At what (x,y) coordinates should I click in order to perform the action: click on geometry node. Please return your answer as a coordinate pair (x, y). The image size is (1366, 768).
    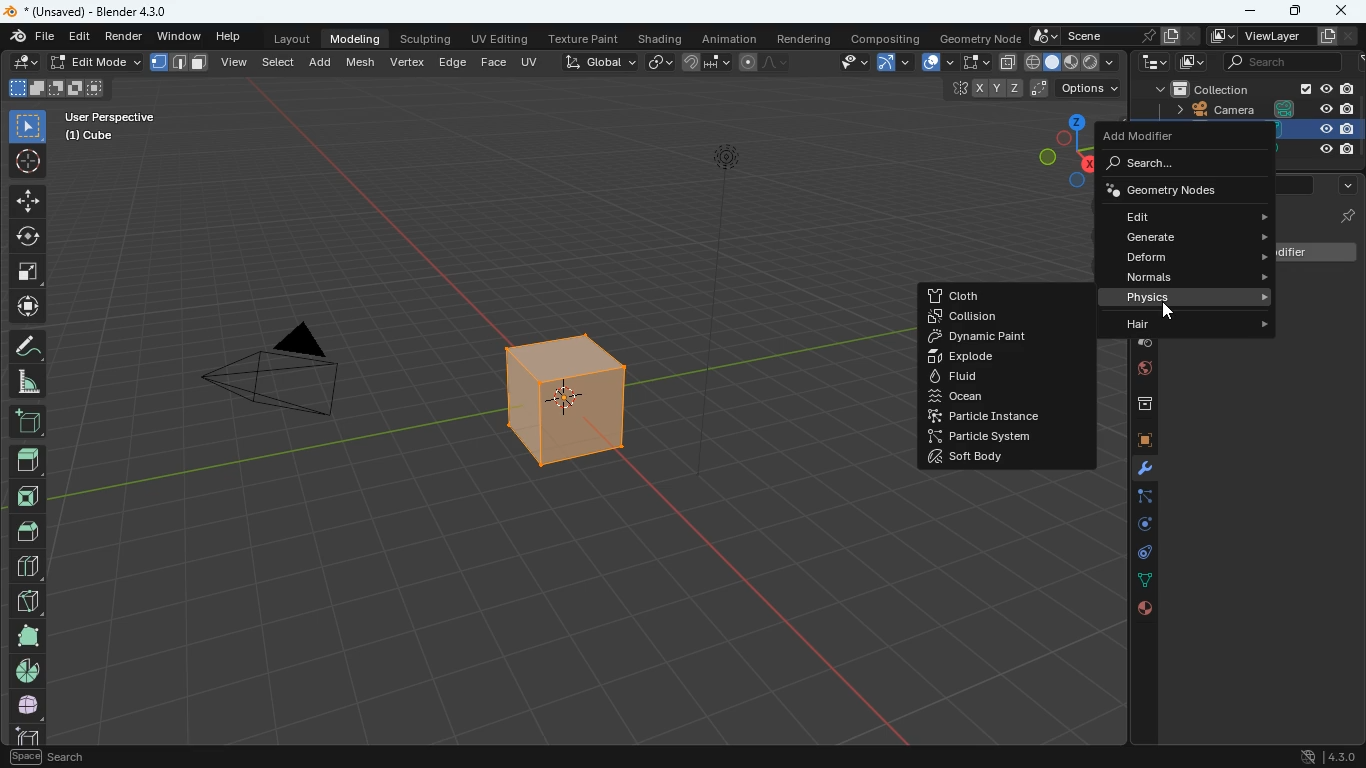
    Looking at the image, I should click on (980, 36).